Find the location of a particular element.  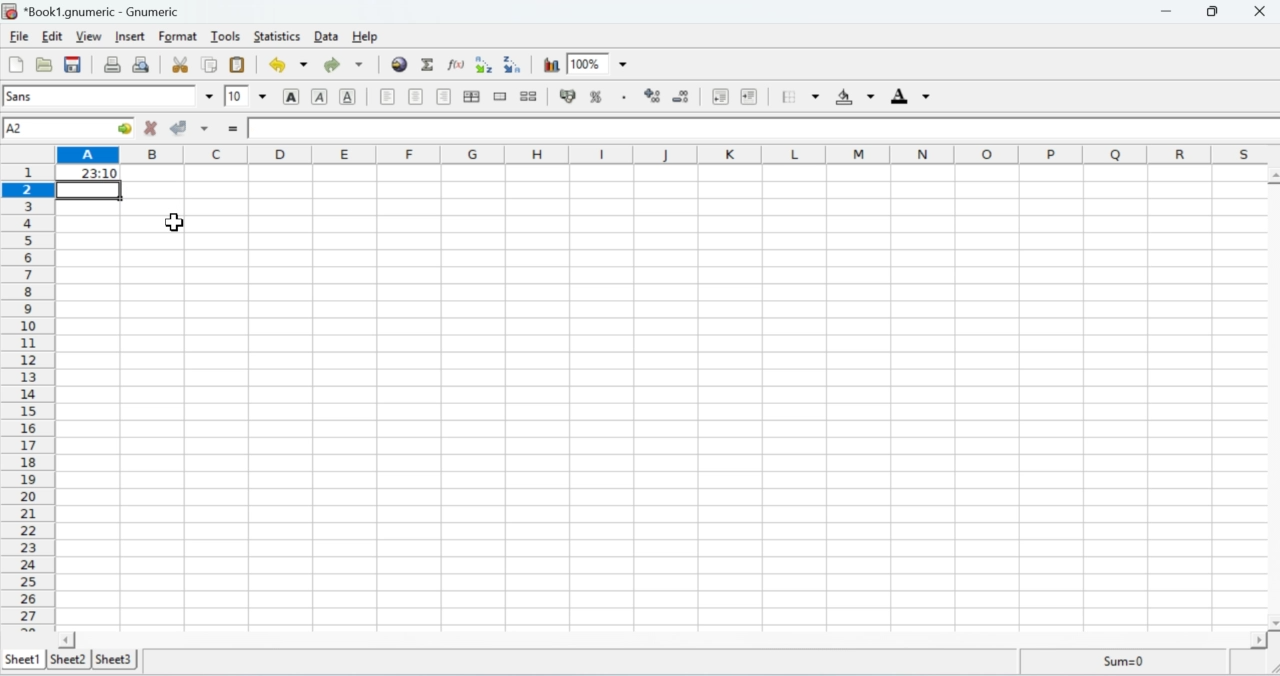

File is located at coordinates (19, 36).